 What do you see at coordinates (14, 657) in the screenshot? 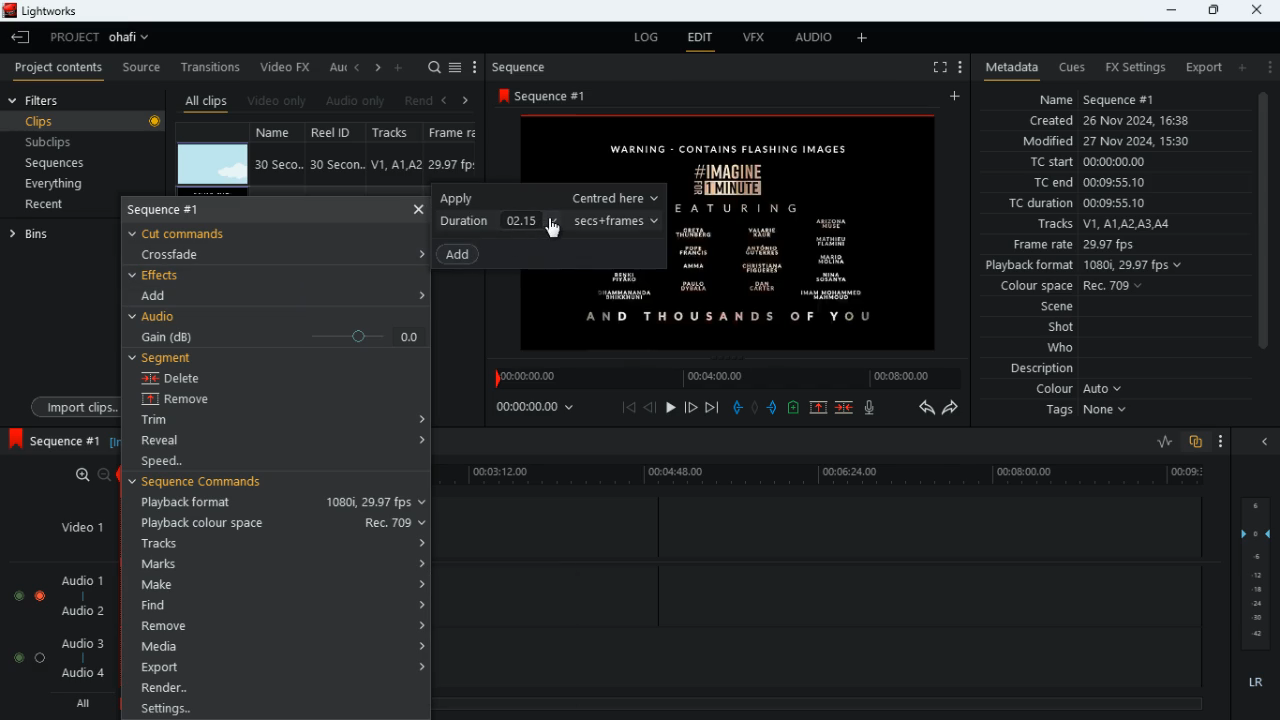
I see `toggle` at bounding box center [14, 657].